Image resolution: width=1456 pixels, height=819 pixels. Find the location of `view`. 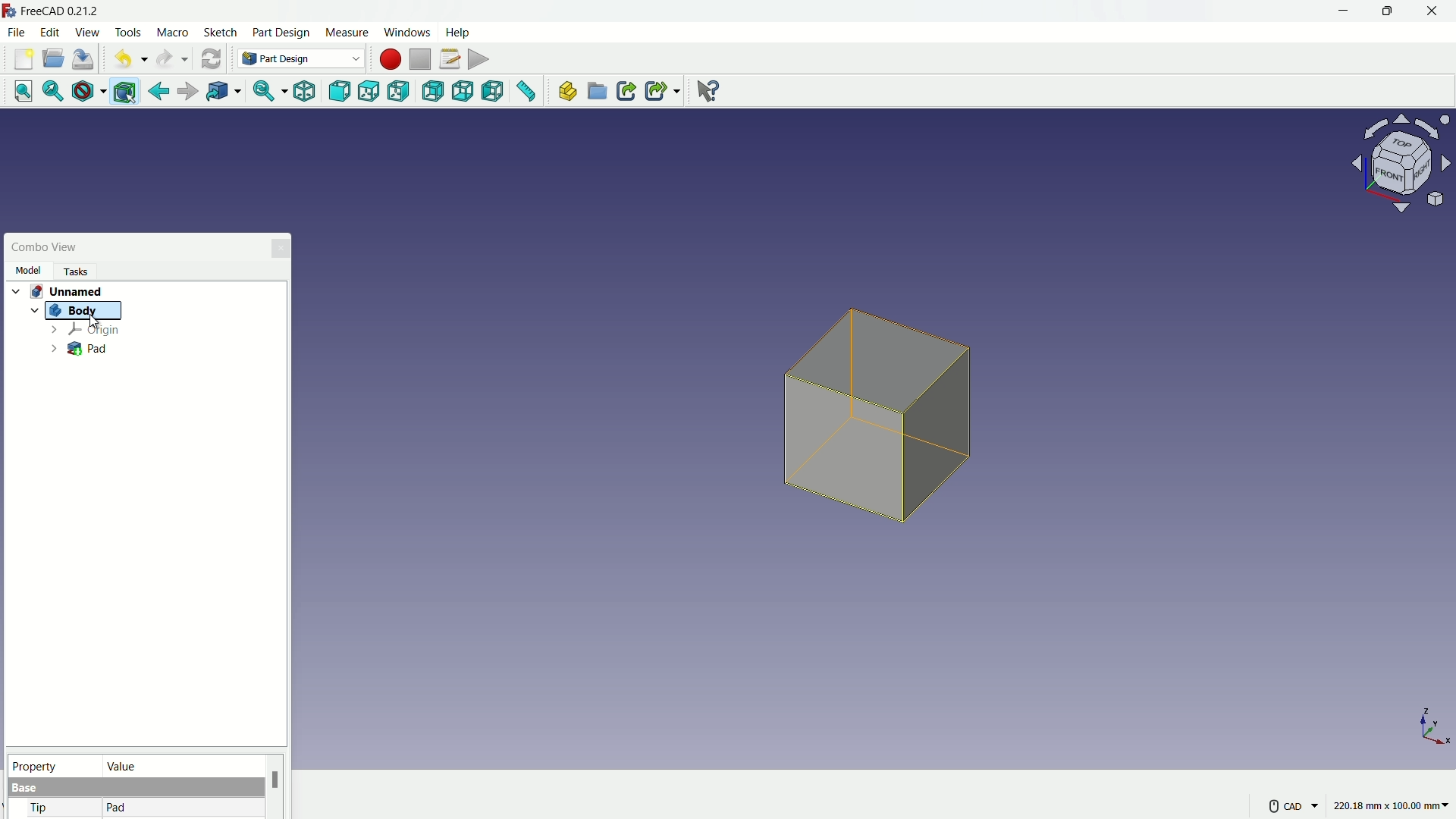

view is located at coordinates (86, 32).